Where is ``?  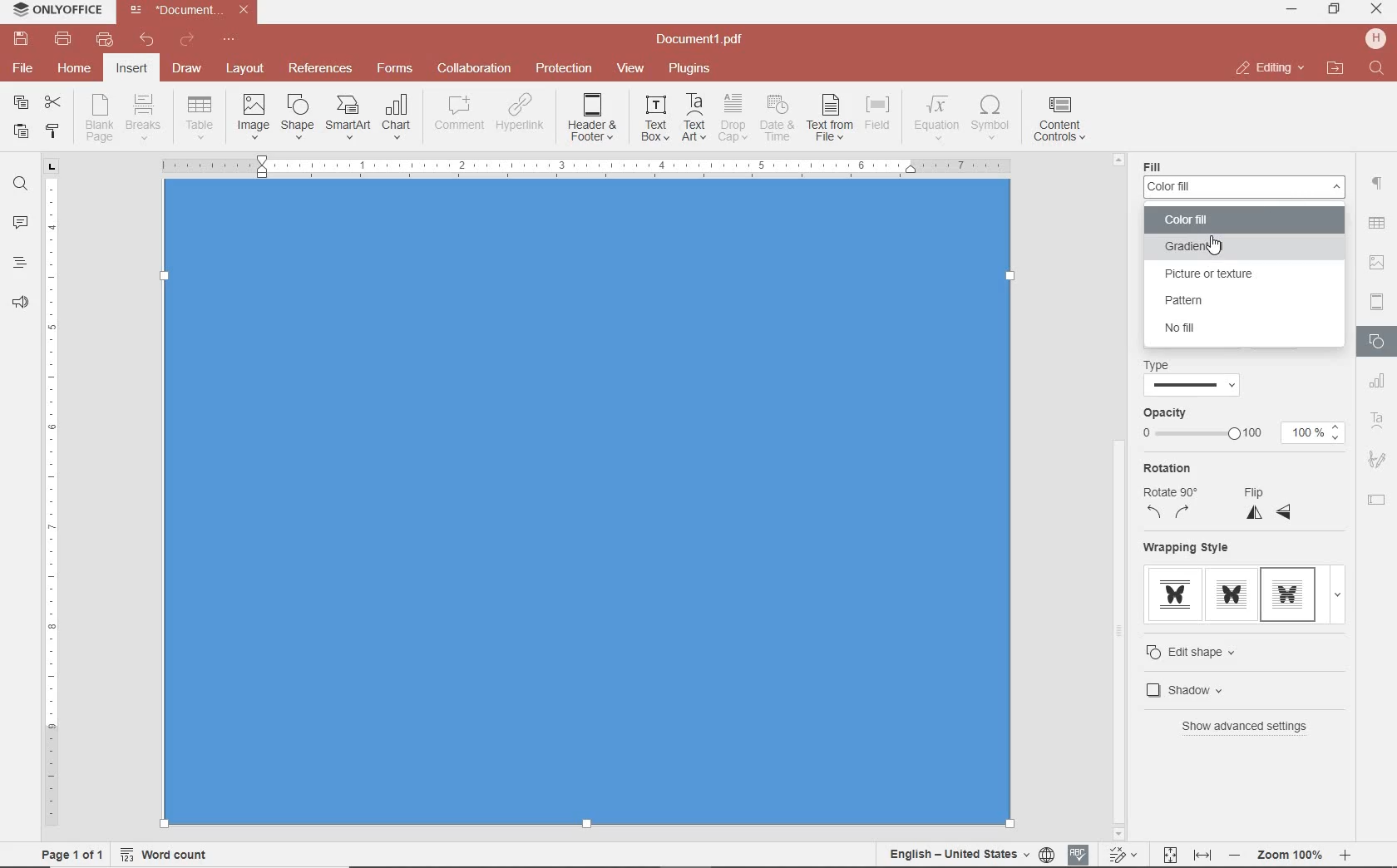  is located at coordinates (1290, 856).